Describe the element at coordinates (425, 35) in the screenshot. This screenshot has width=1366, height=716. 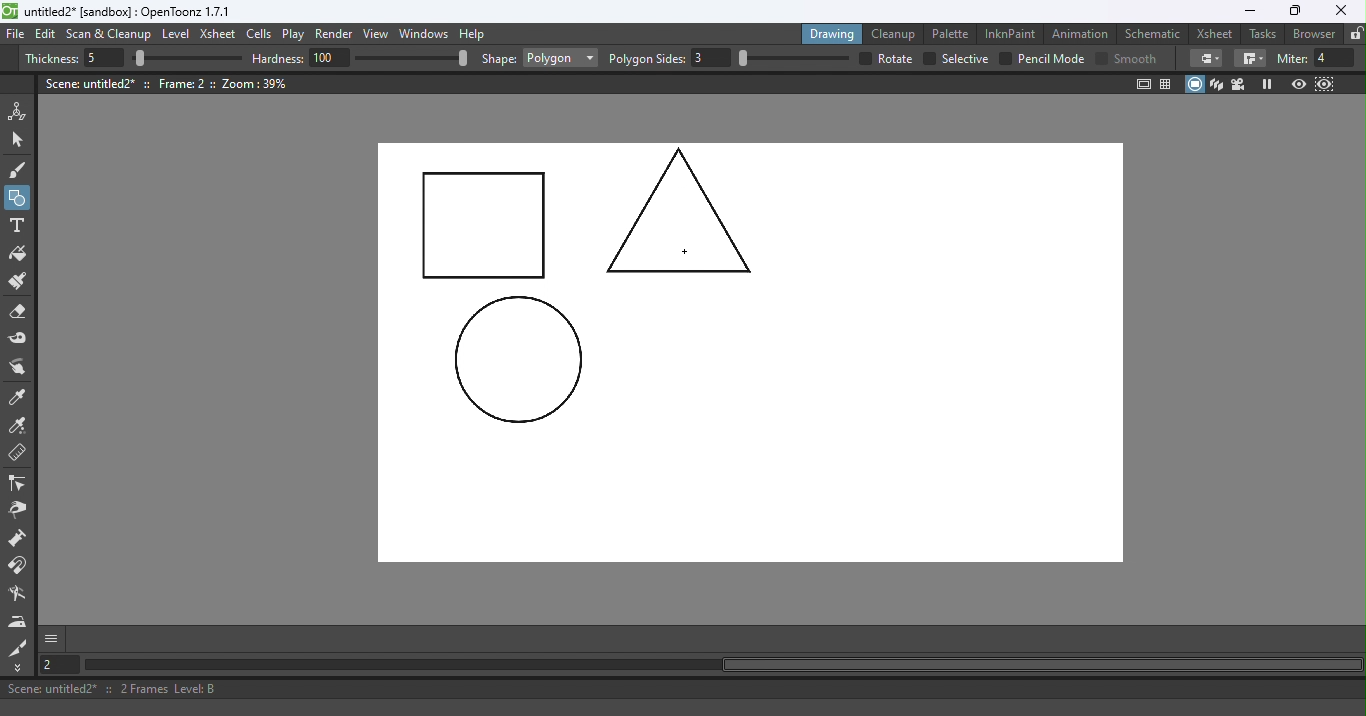
I see `Windows` at that location.